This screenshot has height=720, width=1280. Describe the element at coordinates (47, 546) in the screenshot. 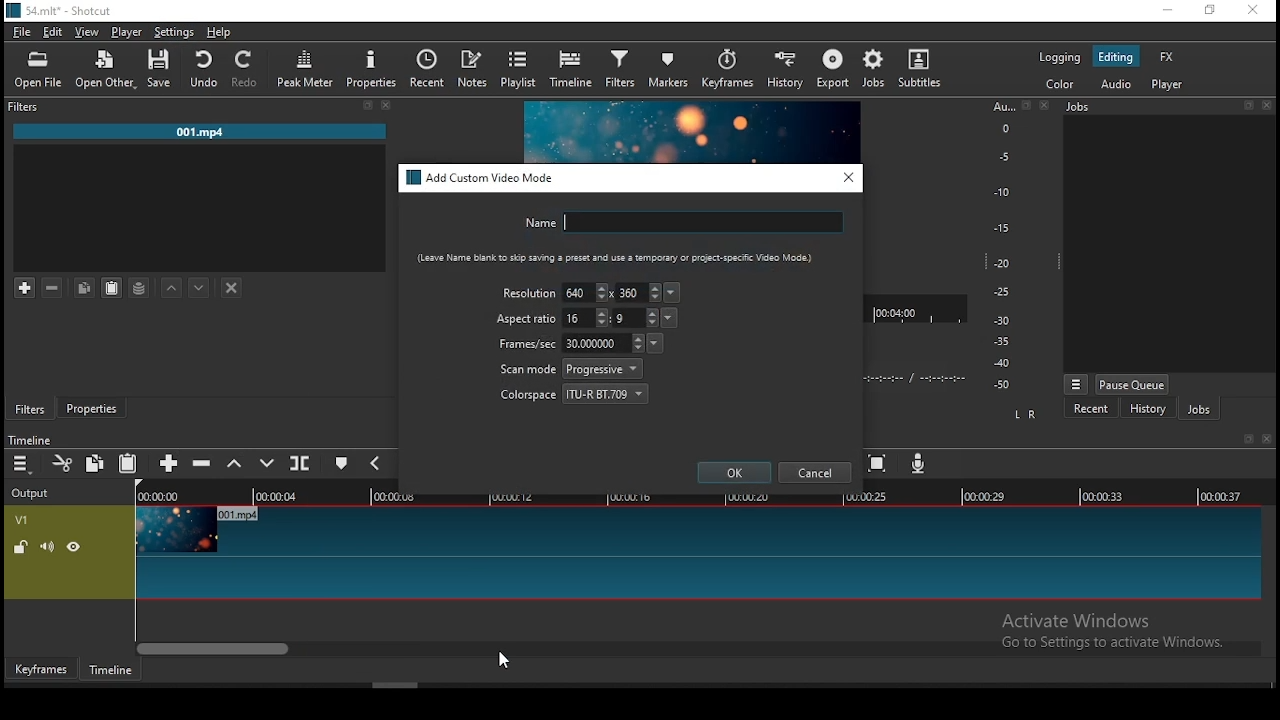

I see `volume` at that location.